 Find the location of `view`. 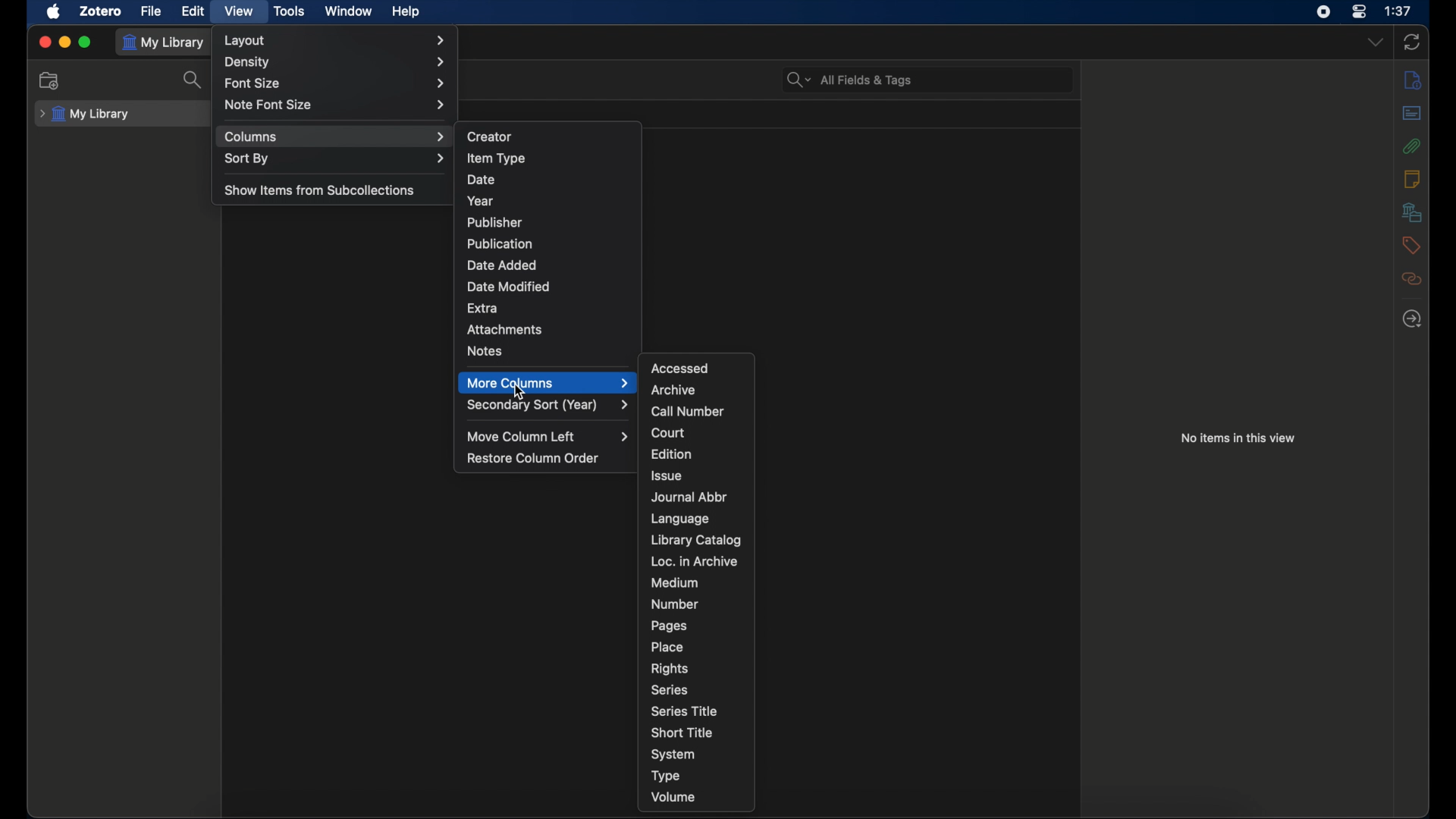

view is located at coordinates (240, 12).